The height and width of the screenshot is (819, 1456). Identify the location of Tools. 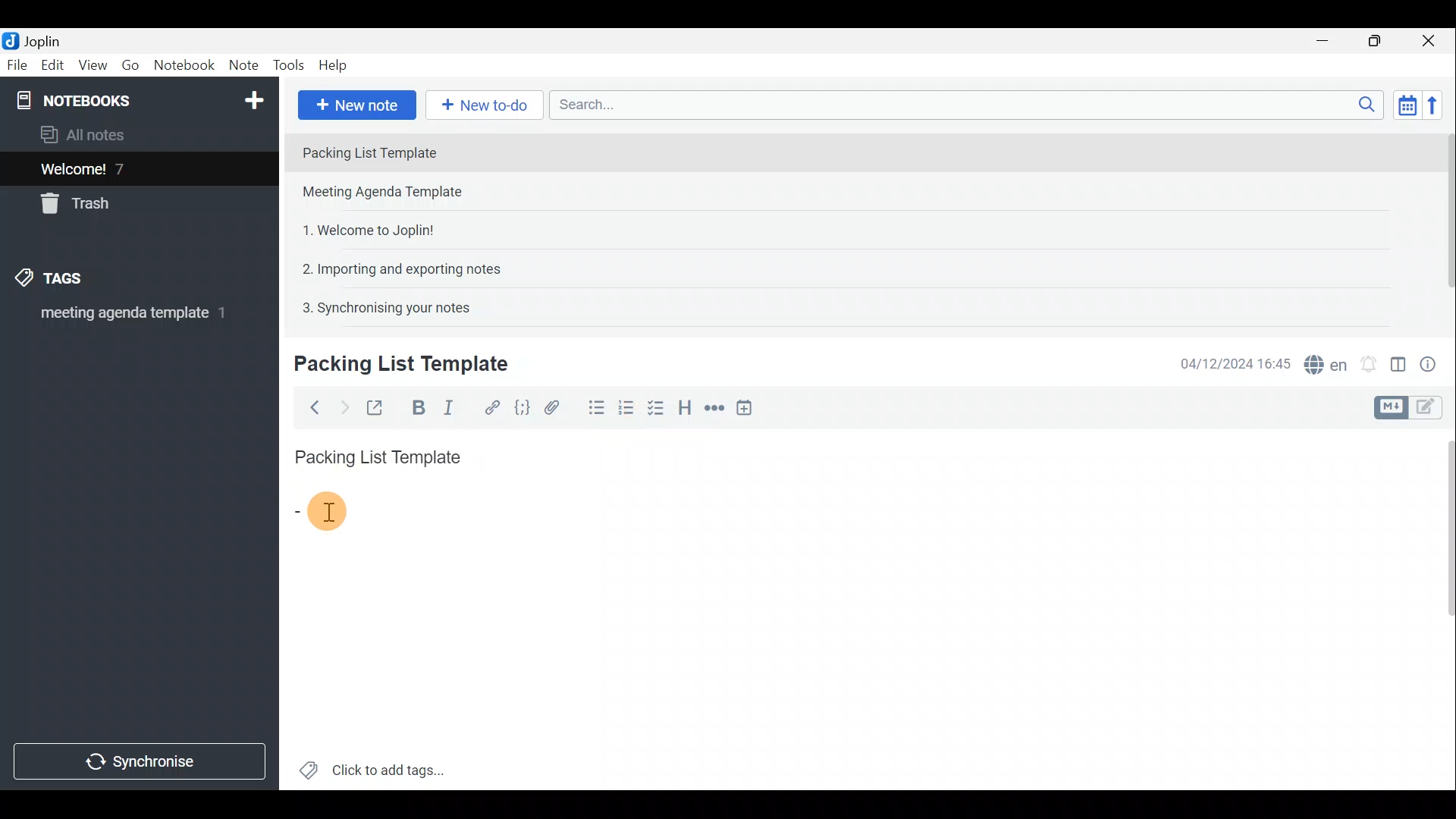
(290, 66).